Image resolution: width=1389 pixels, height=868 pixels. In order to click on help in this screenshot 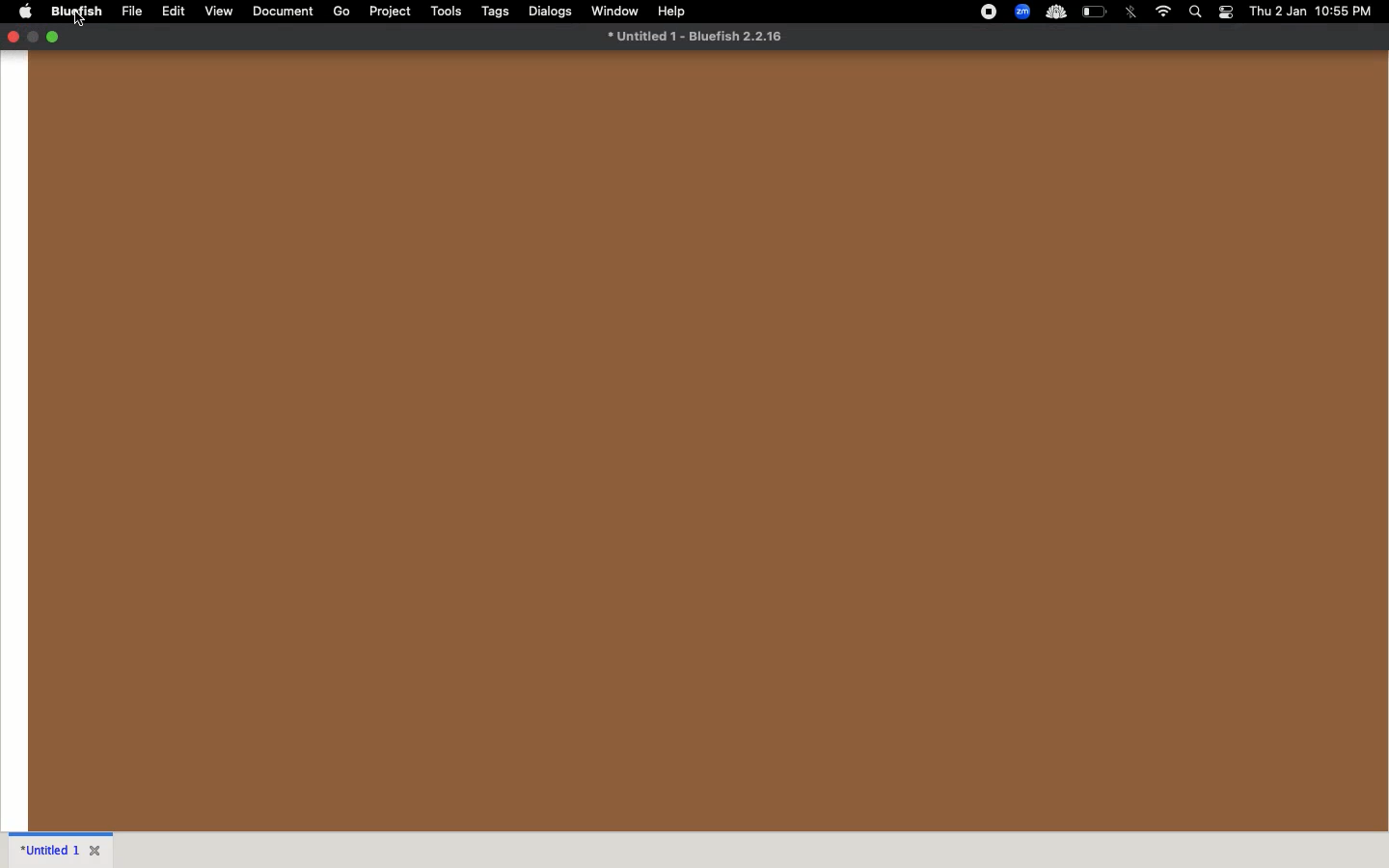, I will do `click(672, 11)`.